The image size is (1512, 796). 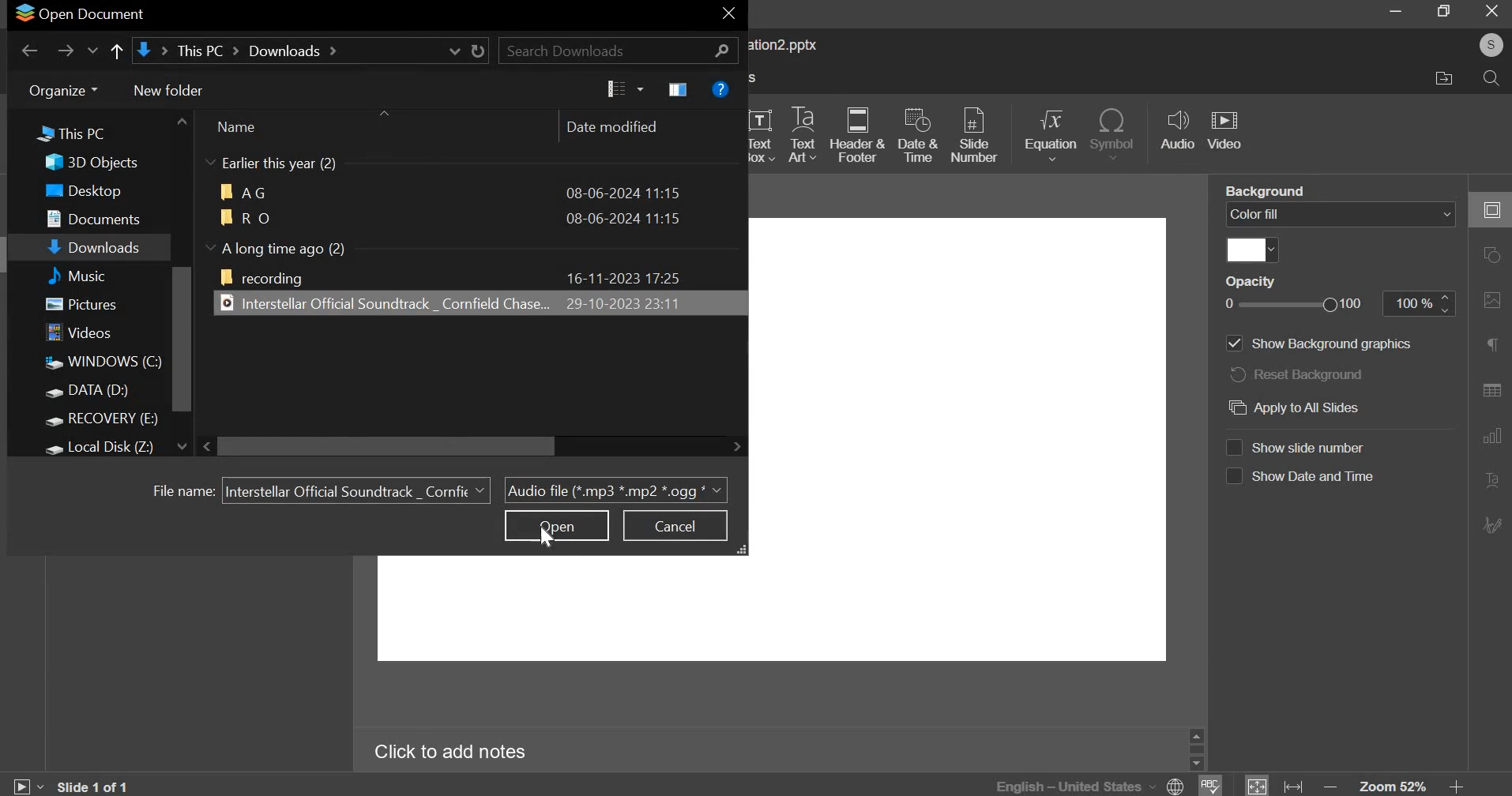 I want to click on spelling, so click(x=1209, y=785).